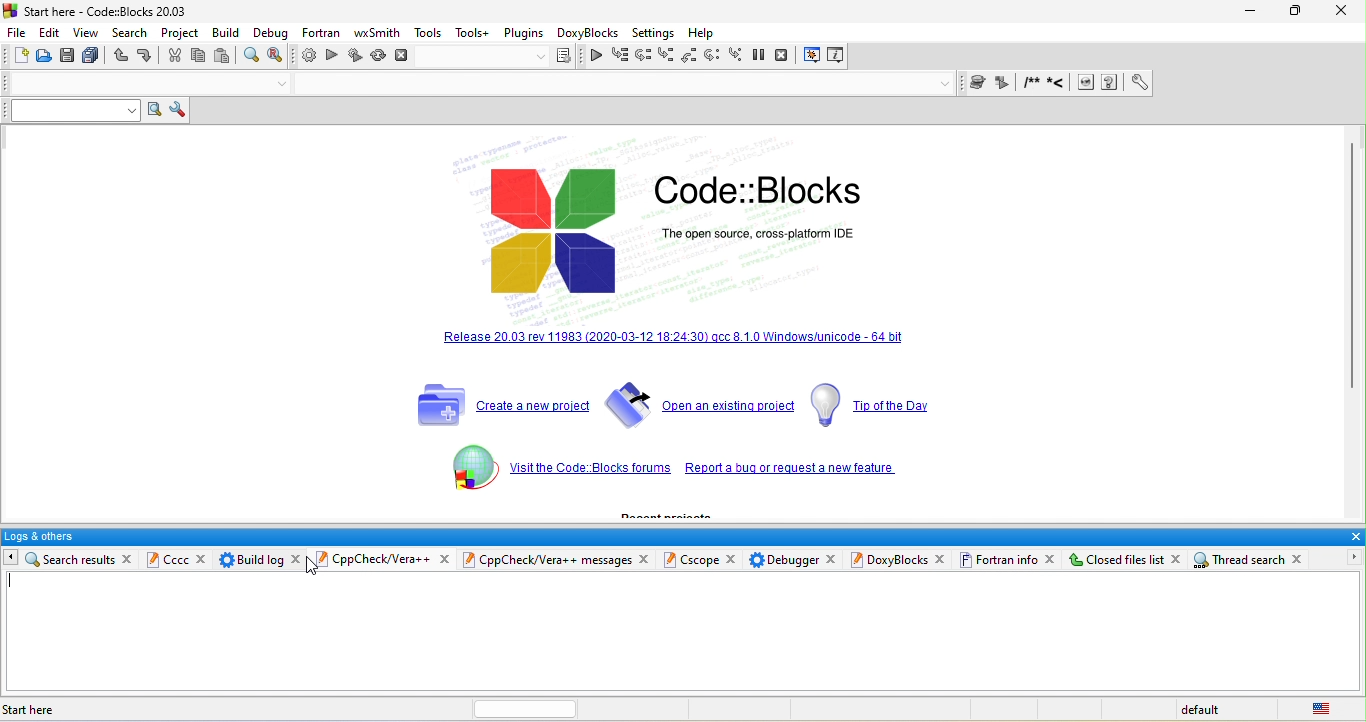  I want to click on build message, so click(250, 560).